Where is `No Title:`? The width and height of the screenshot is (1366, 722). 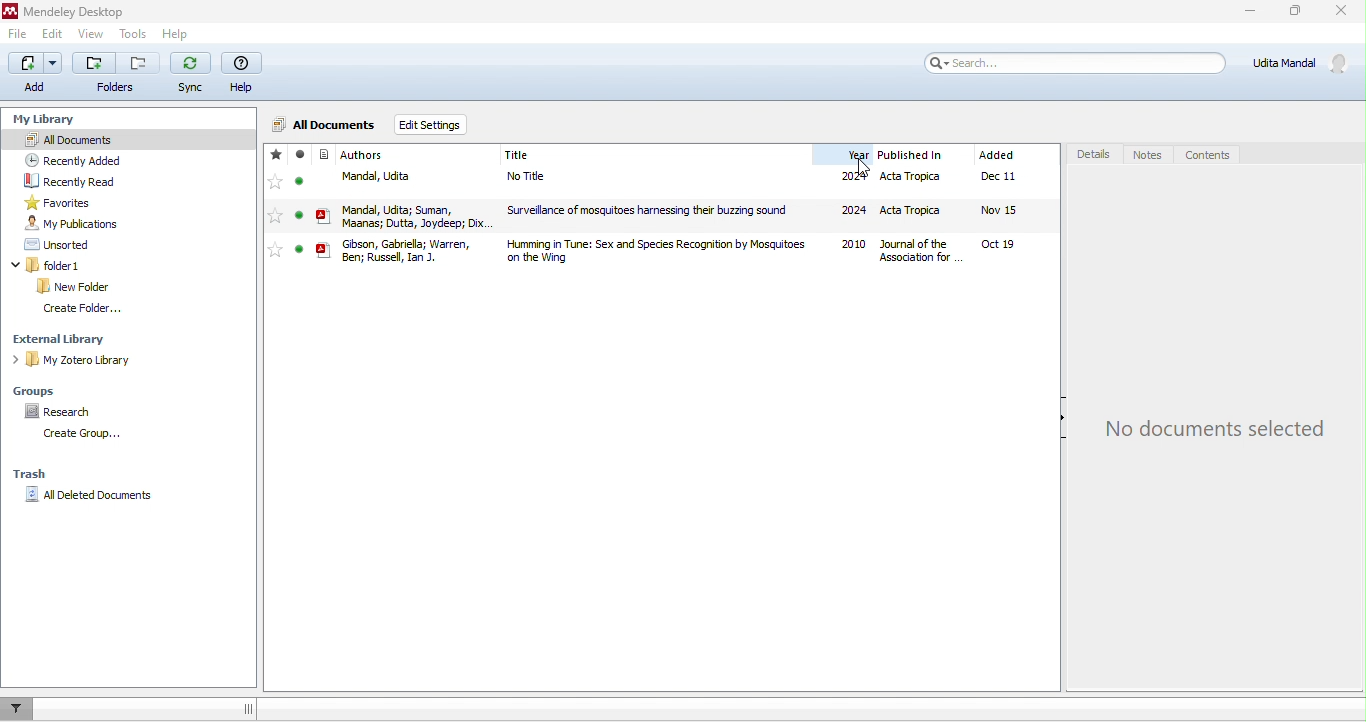 No Title: is located at coordinates (547, 178).